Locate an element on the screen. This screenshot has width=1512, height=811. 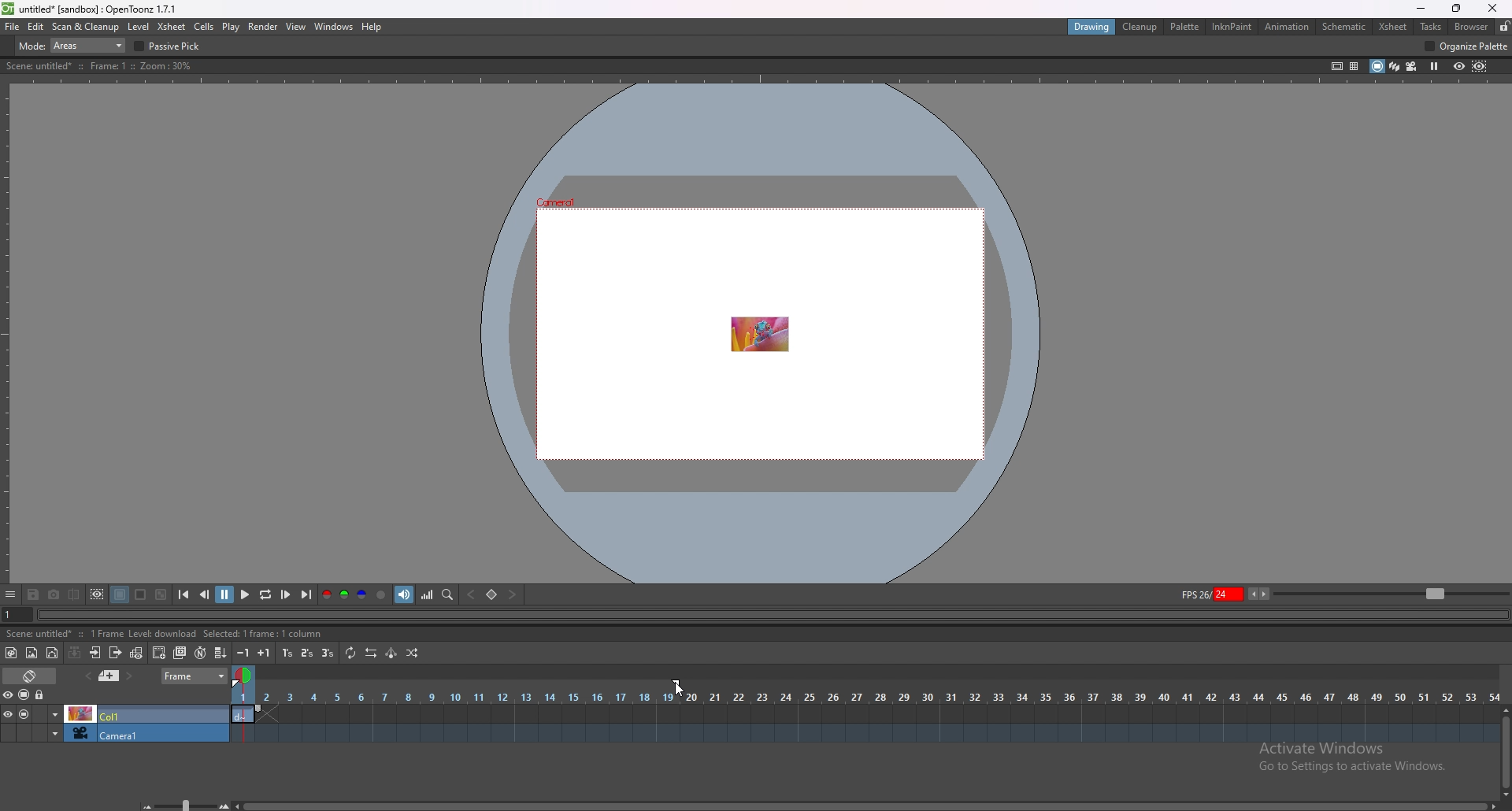
swing is located at coordinates (392, 652).